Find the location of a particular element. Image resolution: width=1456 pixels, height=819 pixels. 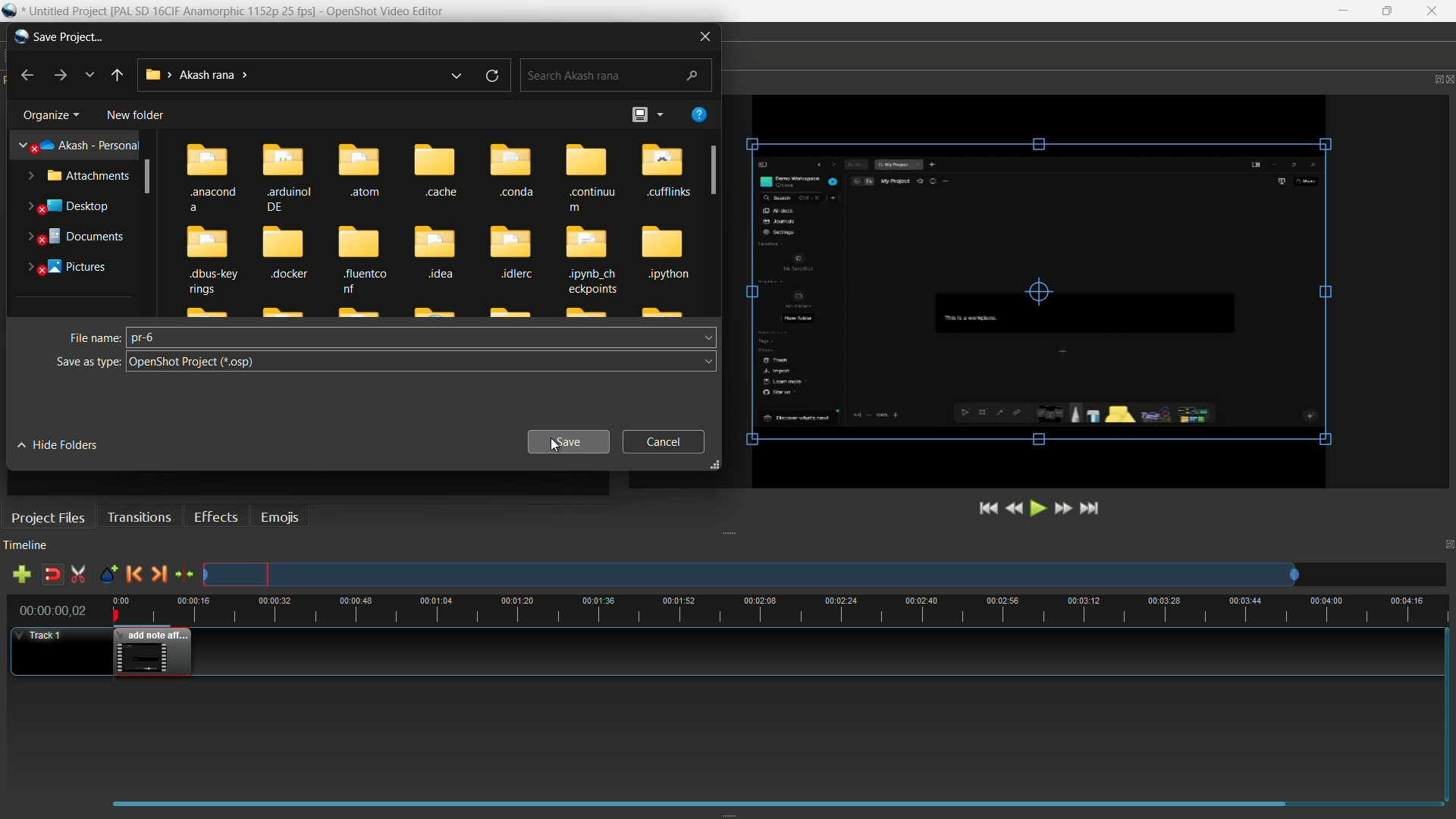

Openshot Icon is located at coordinates (10, 11).